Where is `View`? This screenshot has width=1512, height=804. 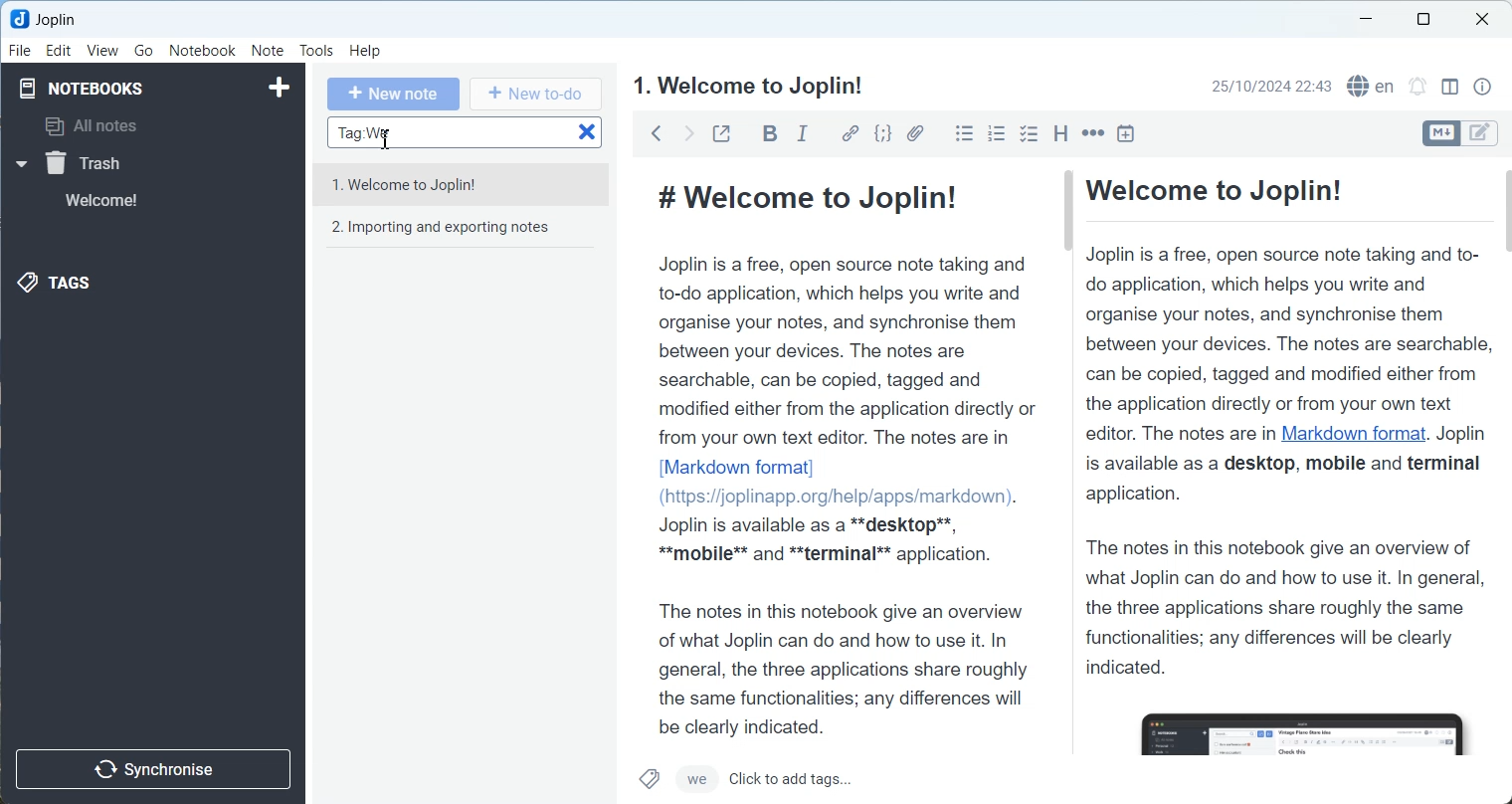
View is located at coordinates (102, 51).